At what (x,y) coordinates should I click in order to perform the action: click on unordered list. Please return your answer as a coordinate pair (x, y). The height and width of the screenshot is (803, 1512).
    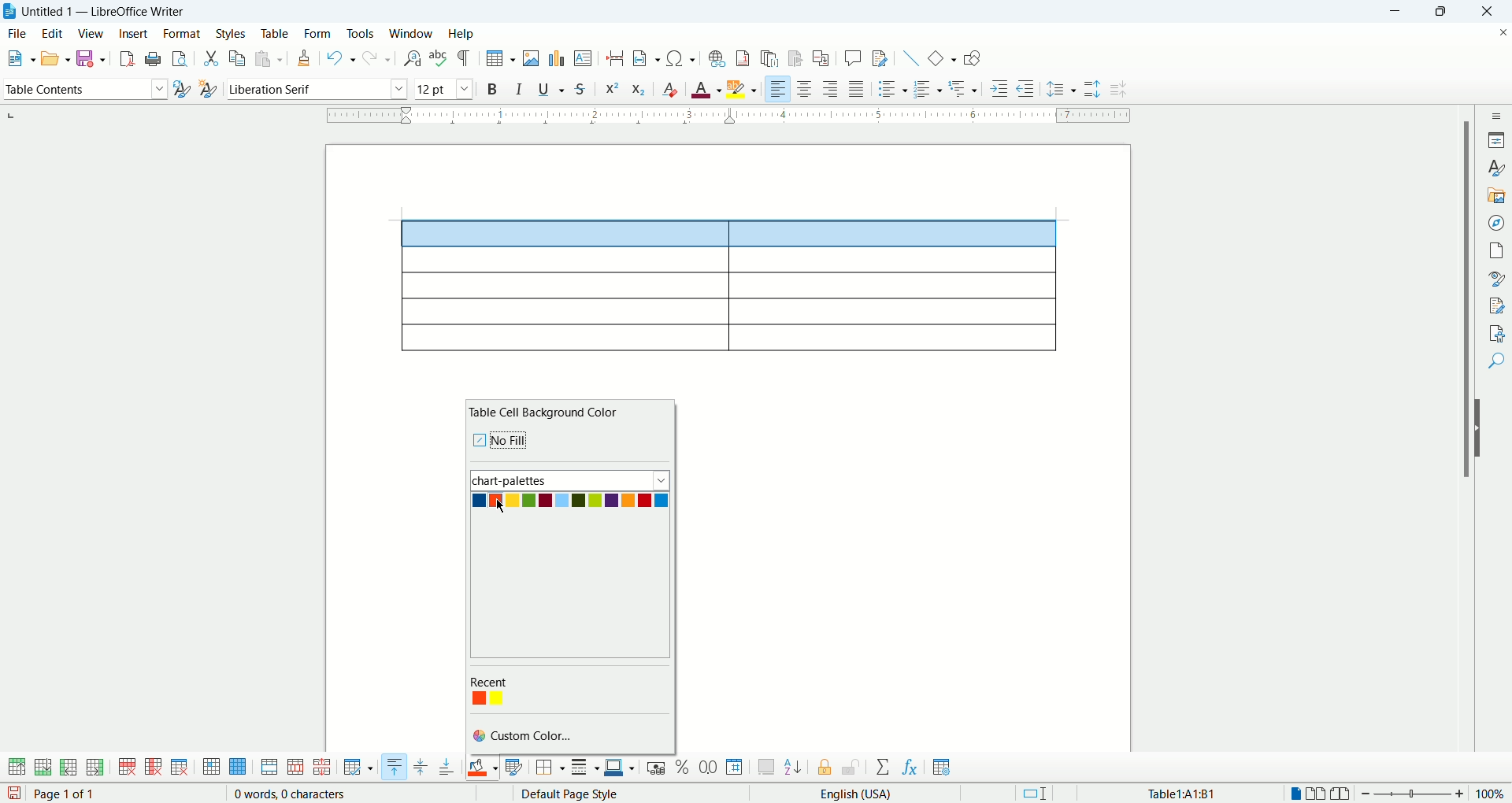
    Looking at the image, I should click on (891, 88).